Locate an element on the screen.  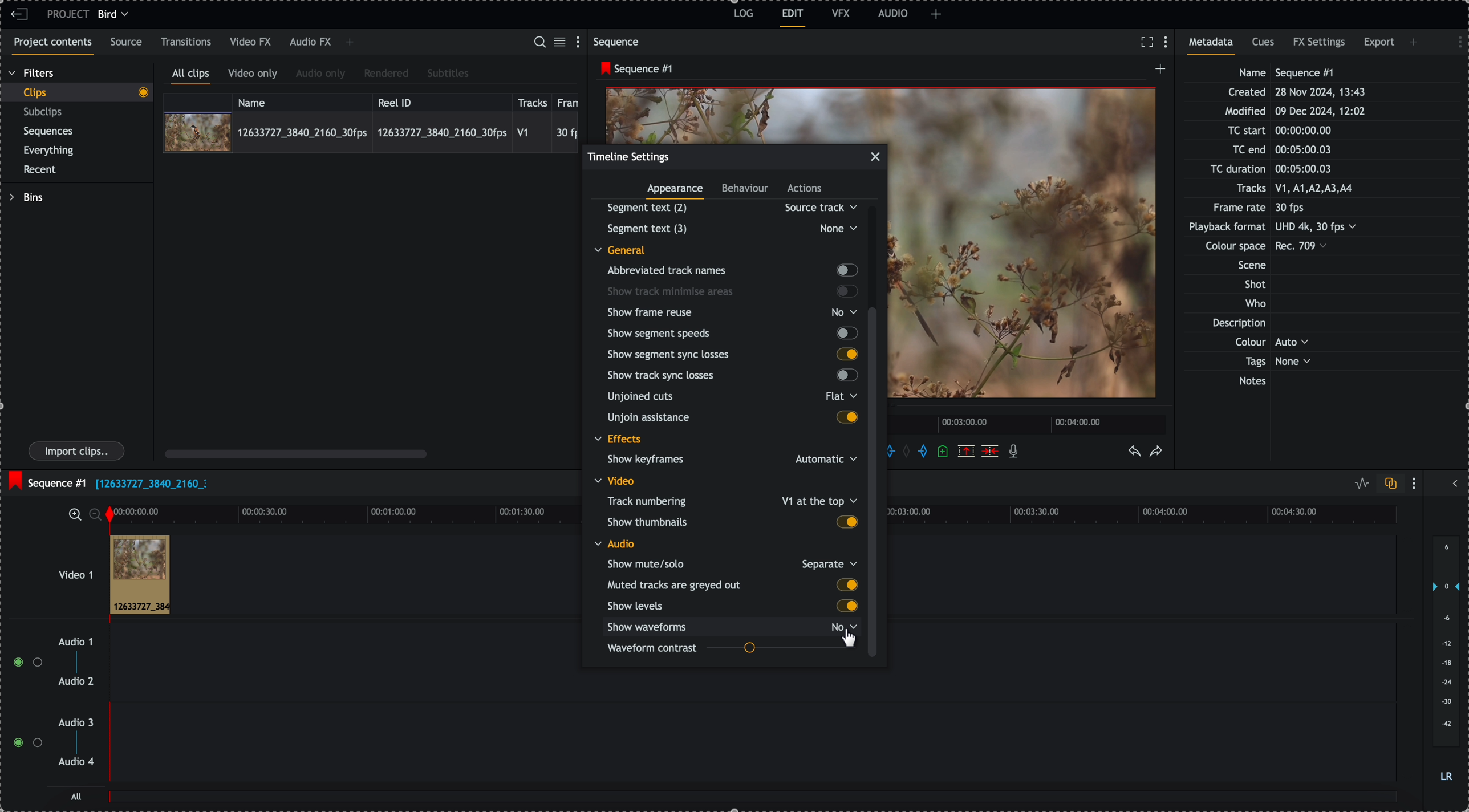
audio FX is located at coordinates (310, 43).